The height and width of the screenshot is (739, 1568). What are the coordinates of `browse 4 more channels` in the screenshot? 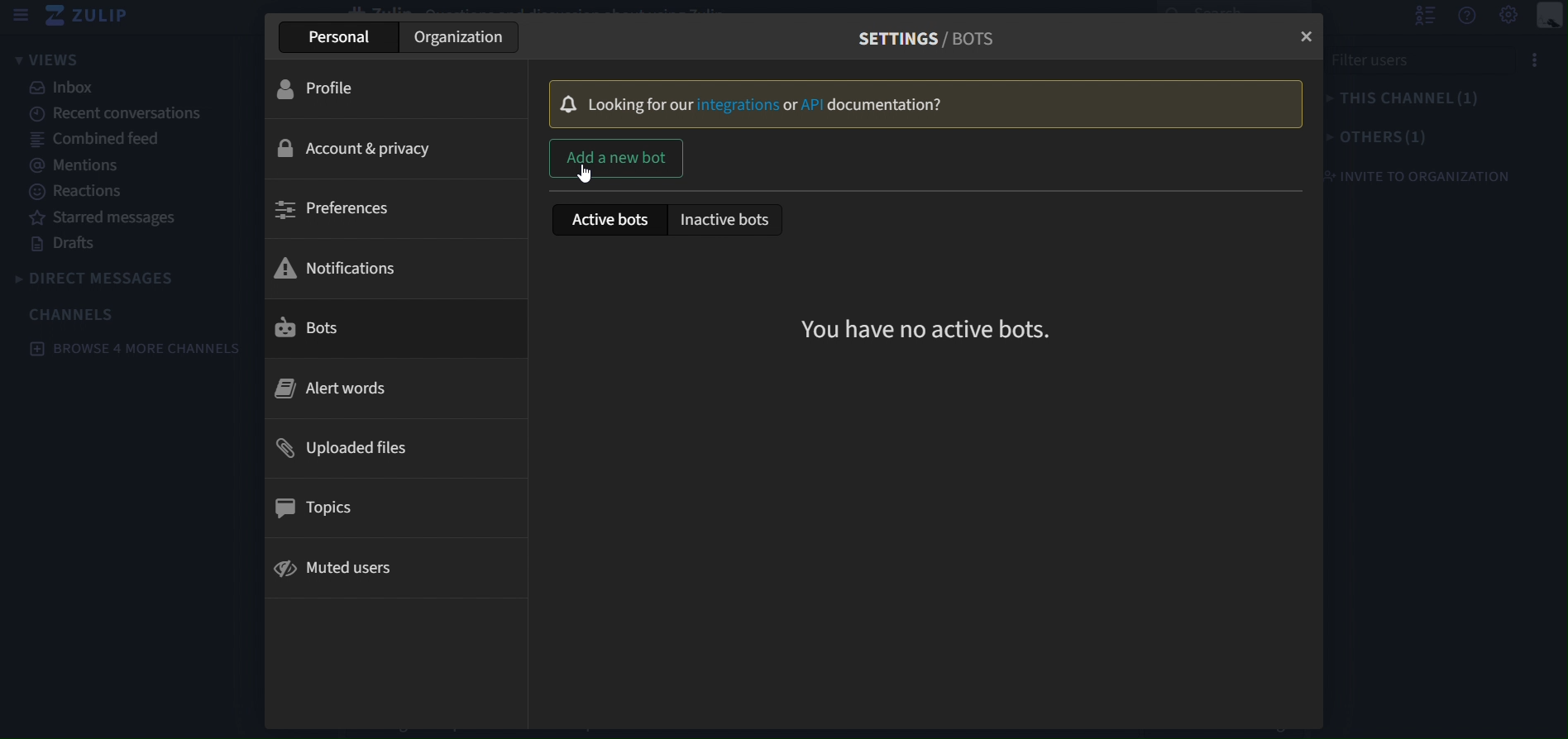 It's located at (138, 348).